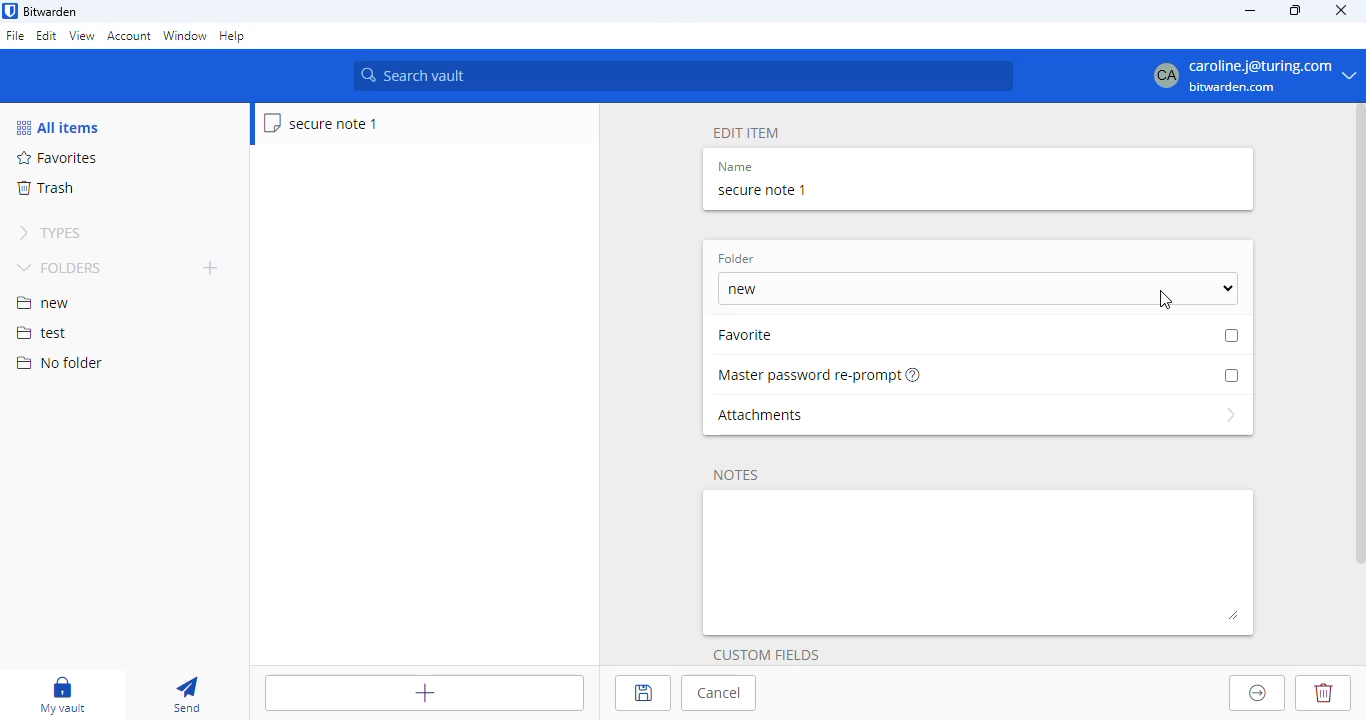 The height and width of the screenshot is (720, 1366). What do you see at coordinates (129, 36) in the screenshot?
I see `account` at bounding box center [129, 36].